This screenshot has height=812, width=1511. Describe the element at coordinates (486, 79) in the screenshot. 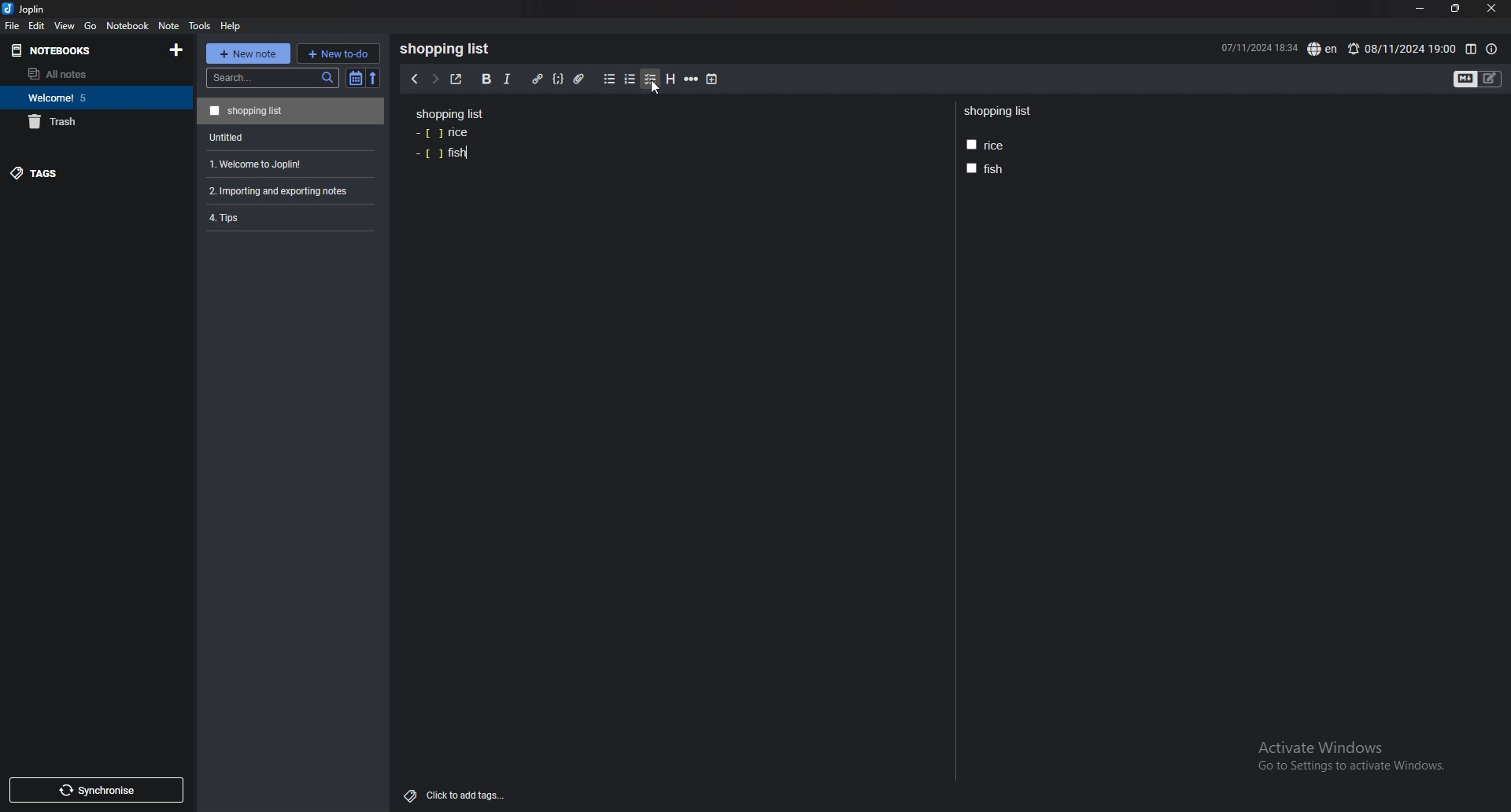

I see `bold` at that location.